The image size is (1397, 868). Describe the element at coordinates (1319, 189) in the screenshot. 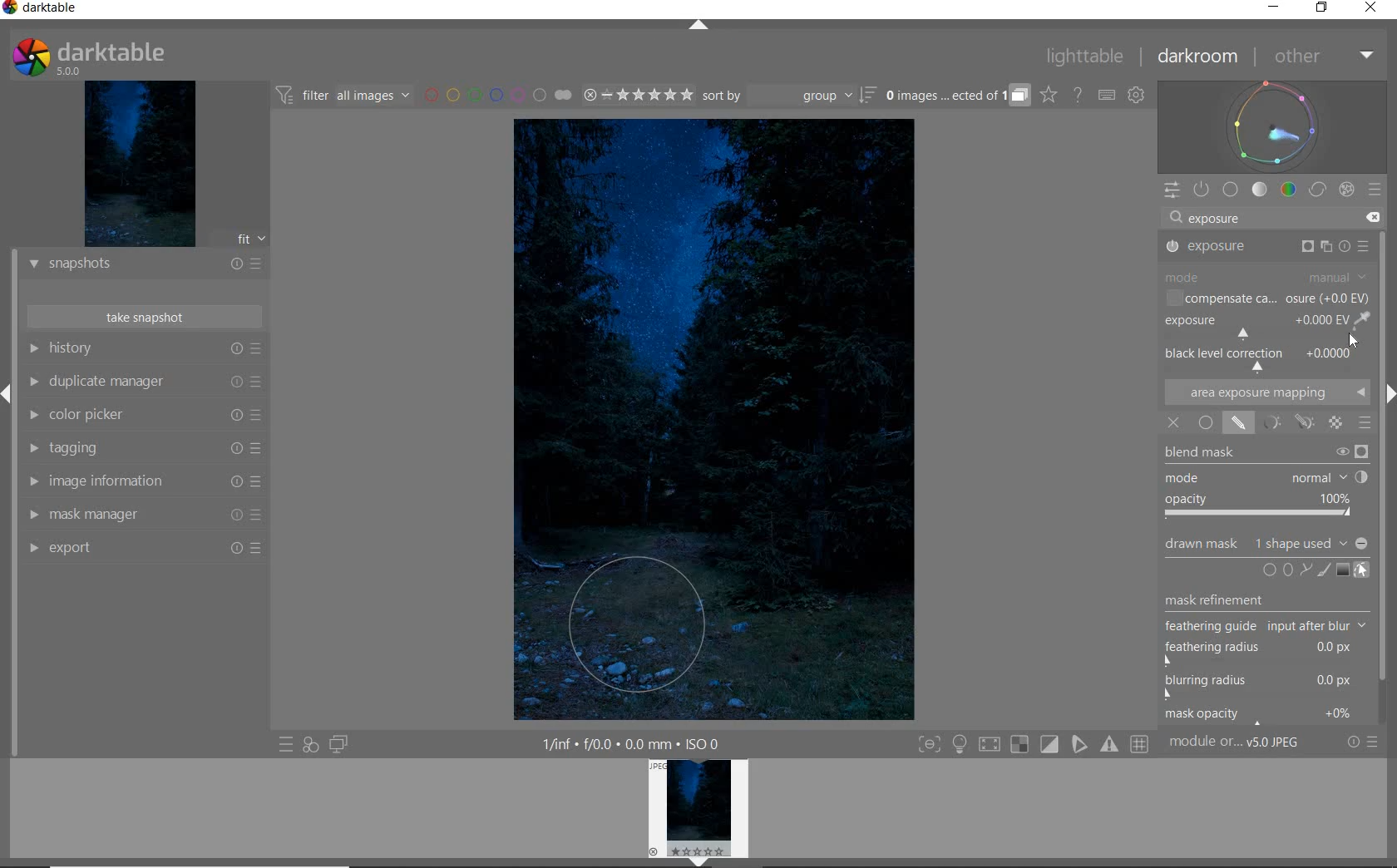

I see `CORRECT` at that location.